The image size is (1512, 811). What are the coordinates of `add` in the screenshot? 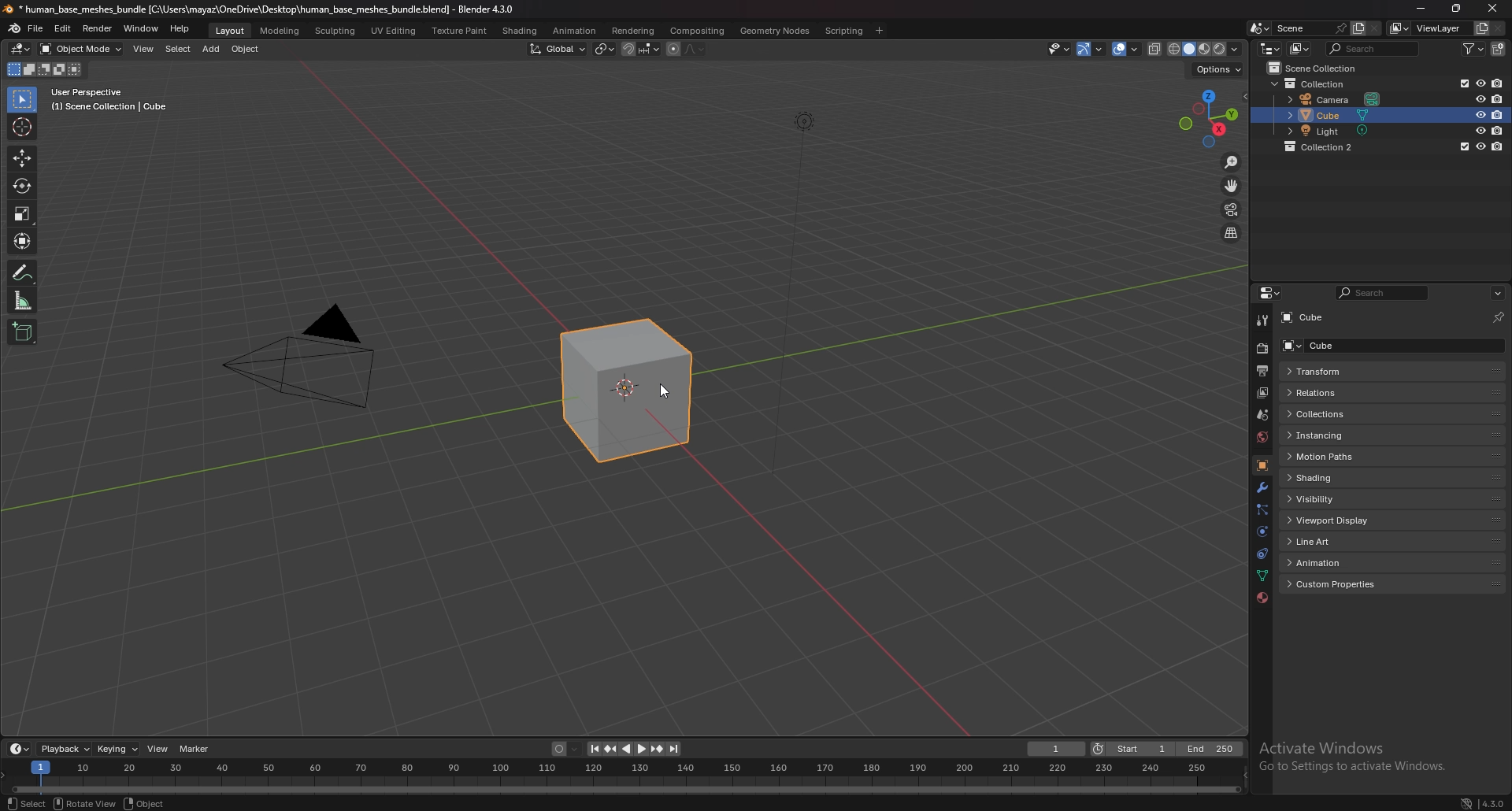 It's located at (211, 49).